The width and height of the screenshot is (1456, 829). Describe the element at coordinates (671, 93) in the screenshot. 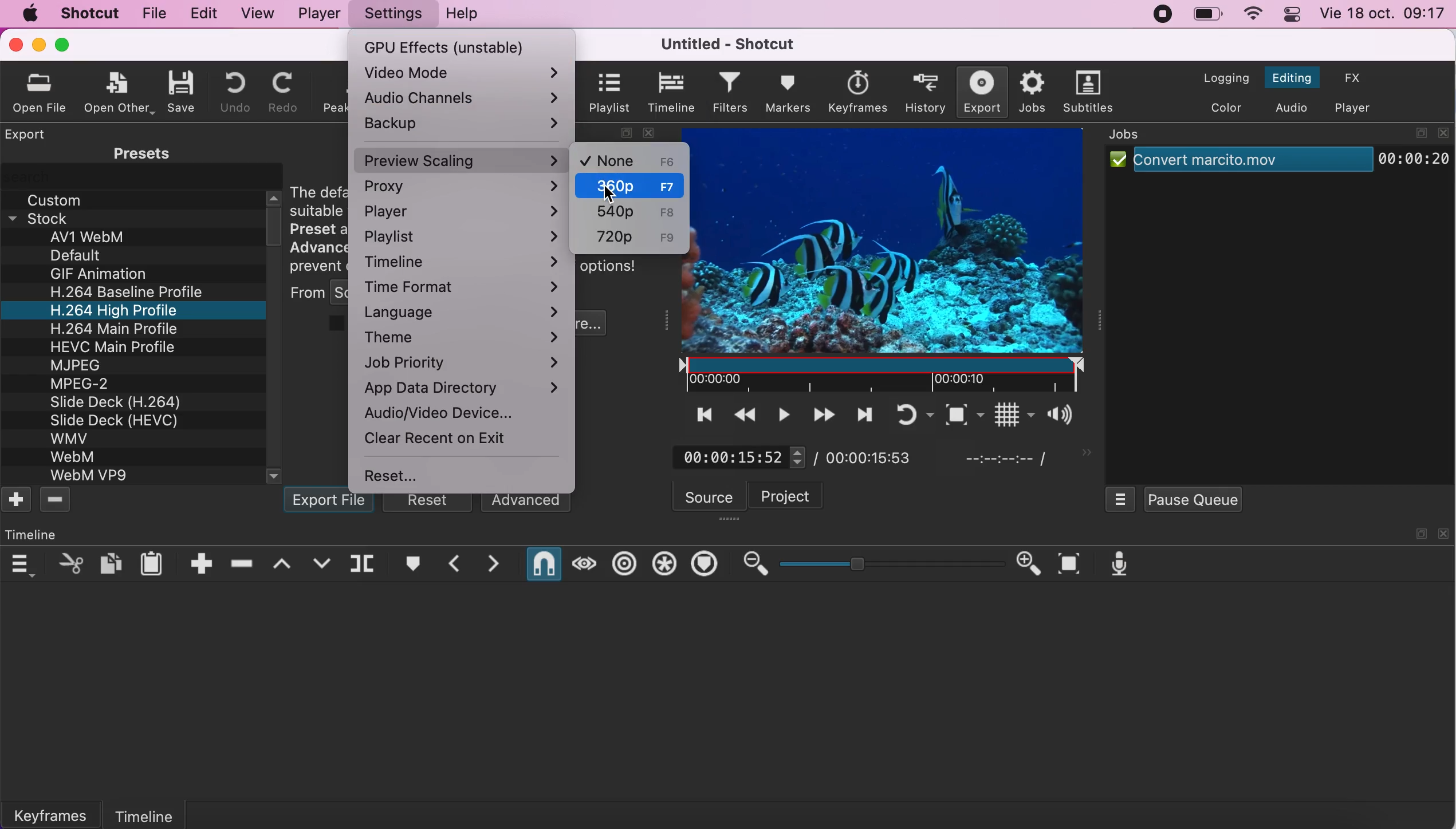

I see `timeline` at that location.